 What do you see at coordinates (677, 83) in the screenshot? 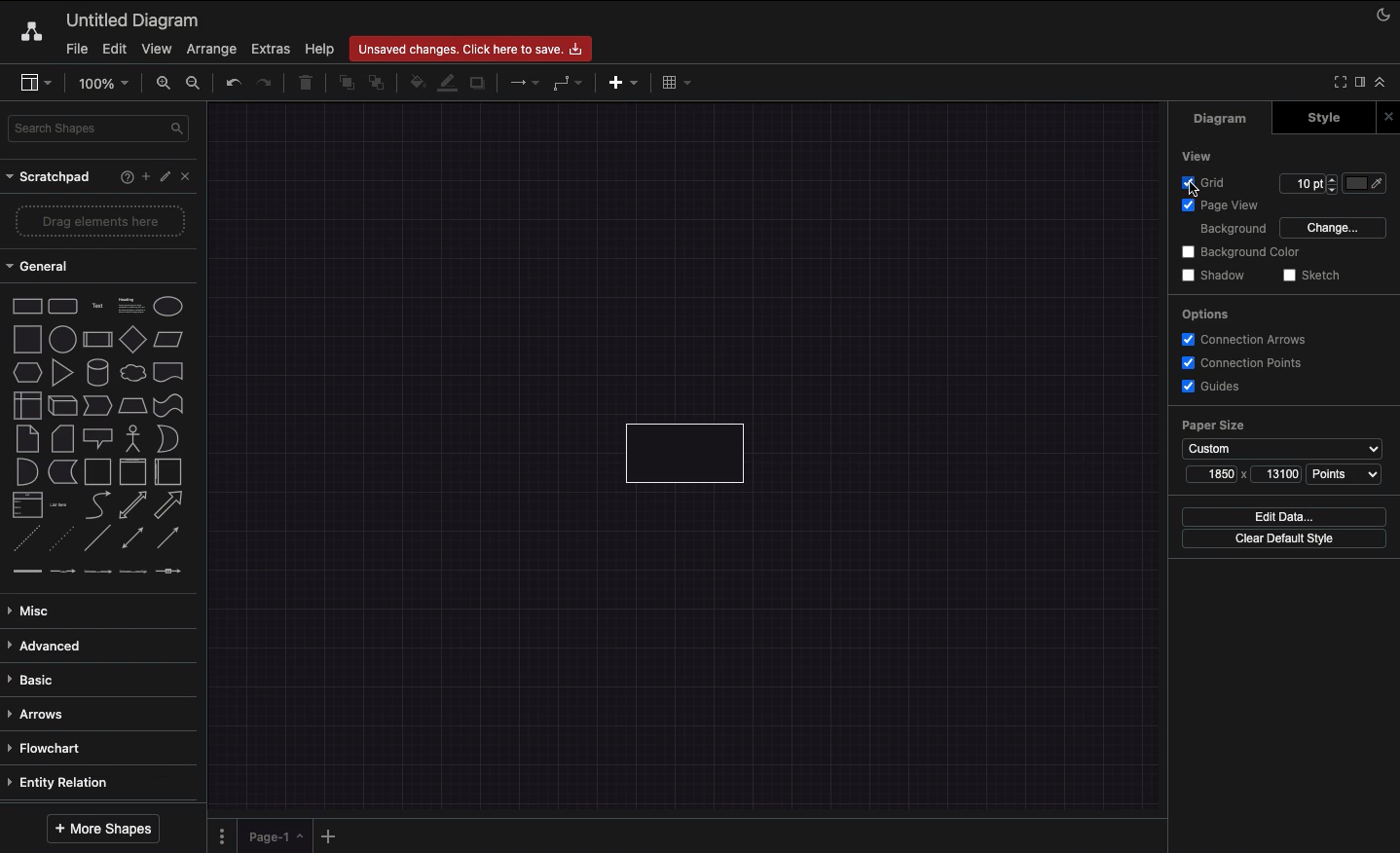
I see `Table` at bounding box center [677, 83].